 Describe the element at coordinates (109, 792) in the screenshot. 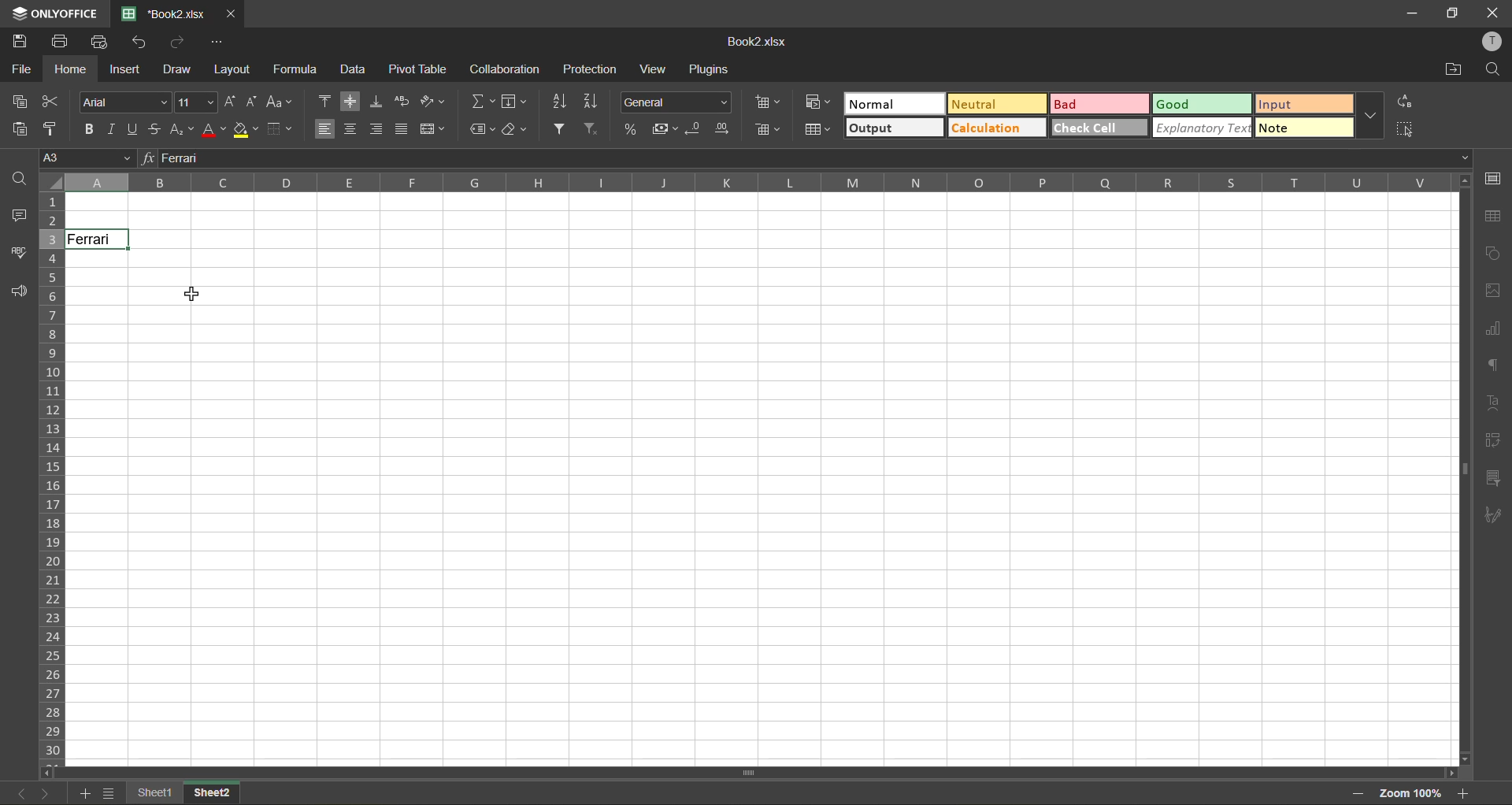

I see `sheet list` at that location.